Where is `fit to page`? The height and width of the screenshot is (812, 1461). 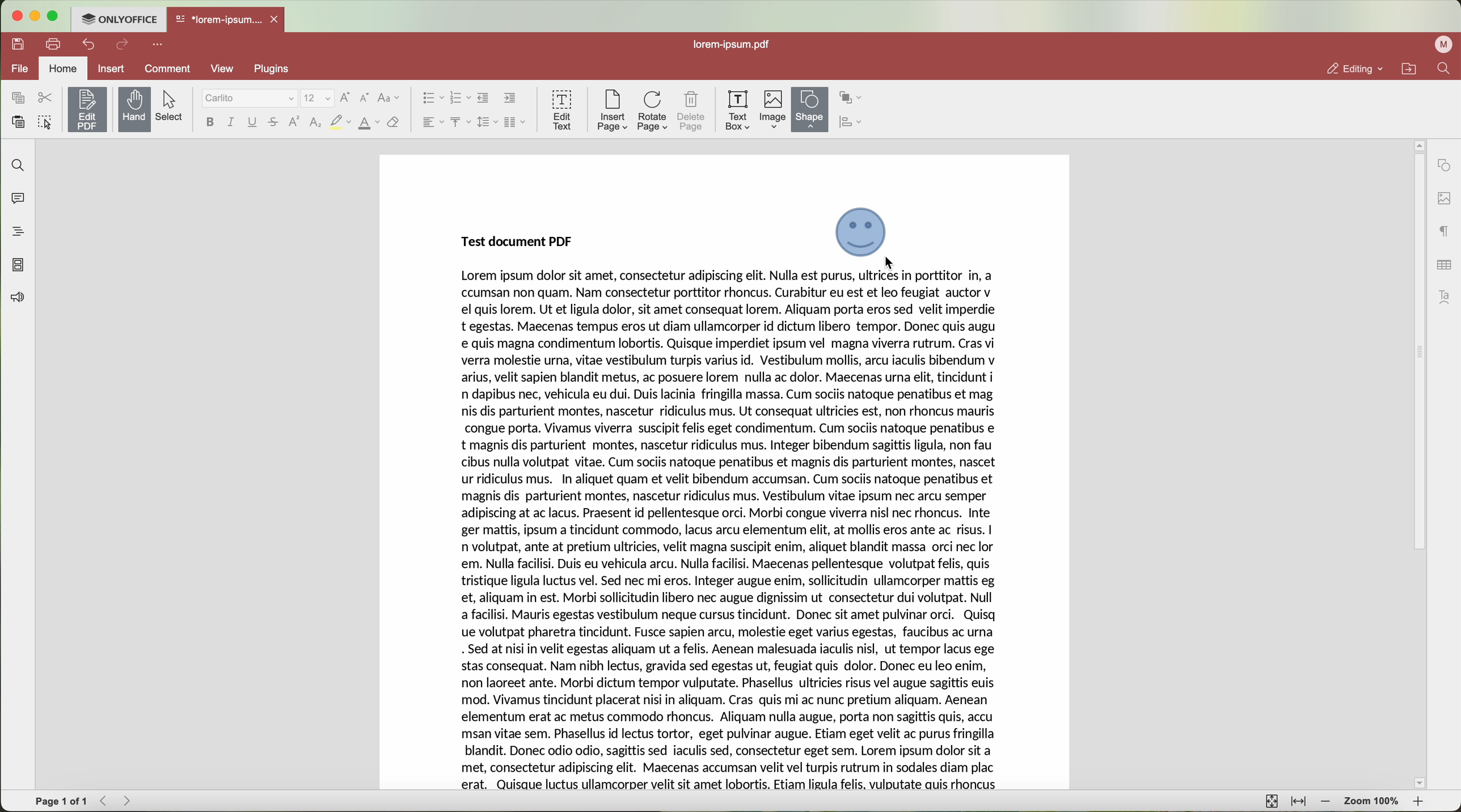
fit to page is located at coordinates (1270, 801).